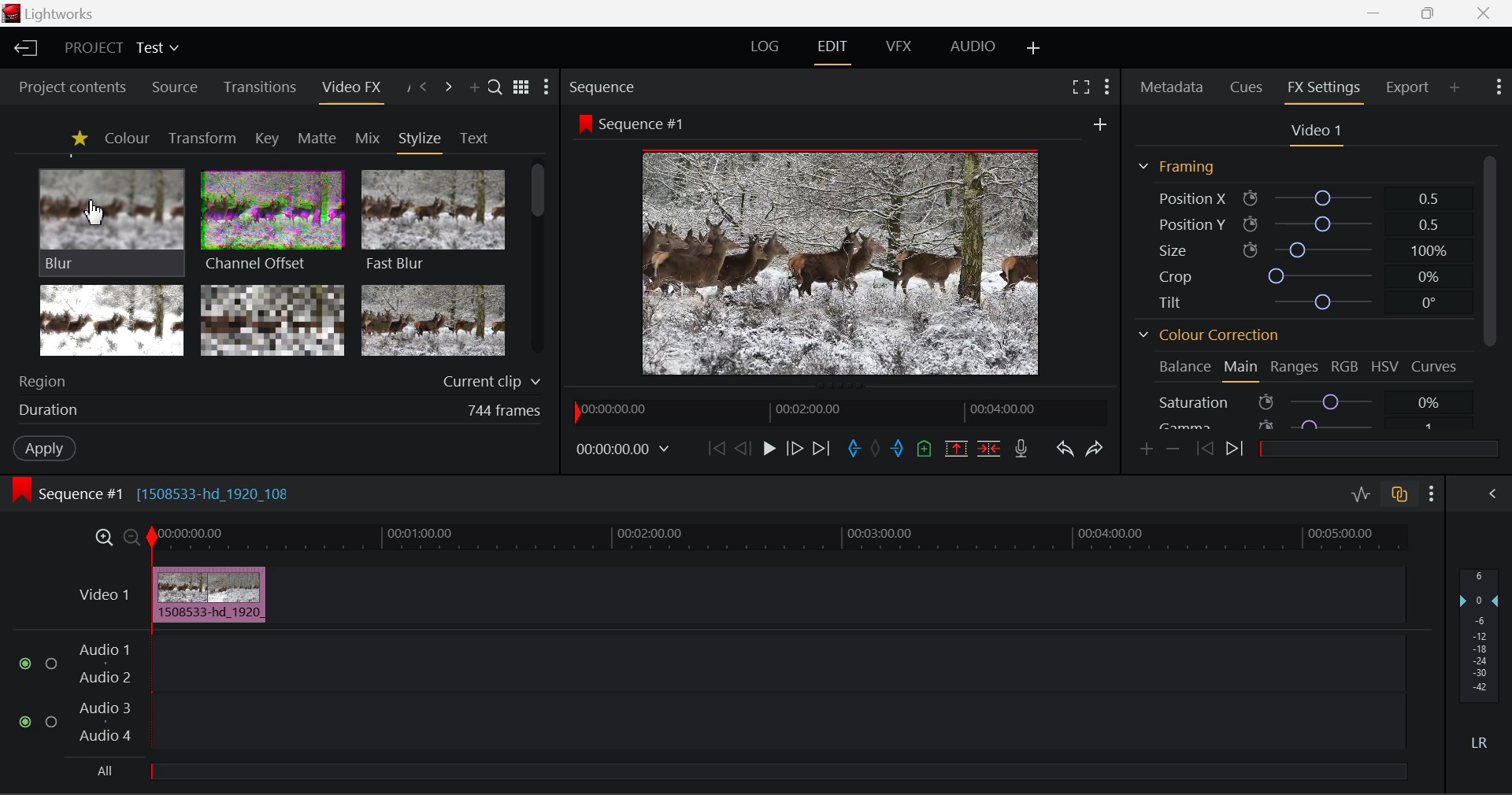 This screenshot has height=795, width=1512. What do you see at coordinates (1480, 664) in the screenshot?
I see `Decibel Level` at bounding box center [1480, 664].